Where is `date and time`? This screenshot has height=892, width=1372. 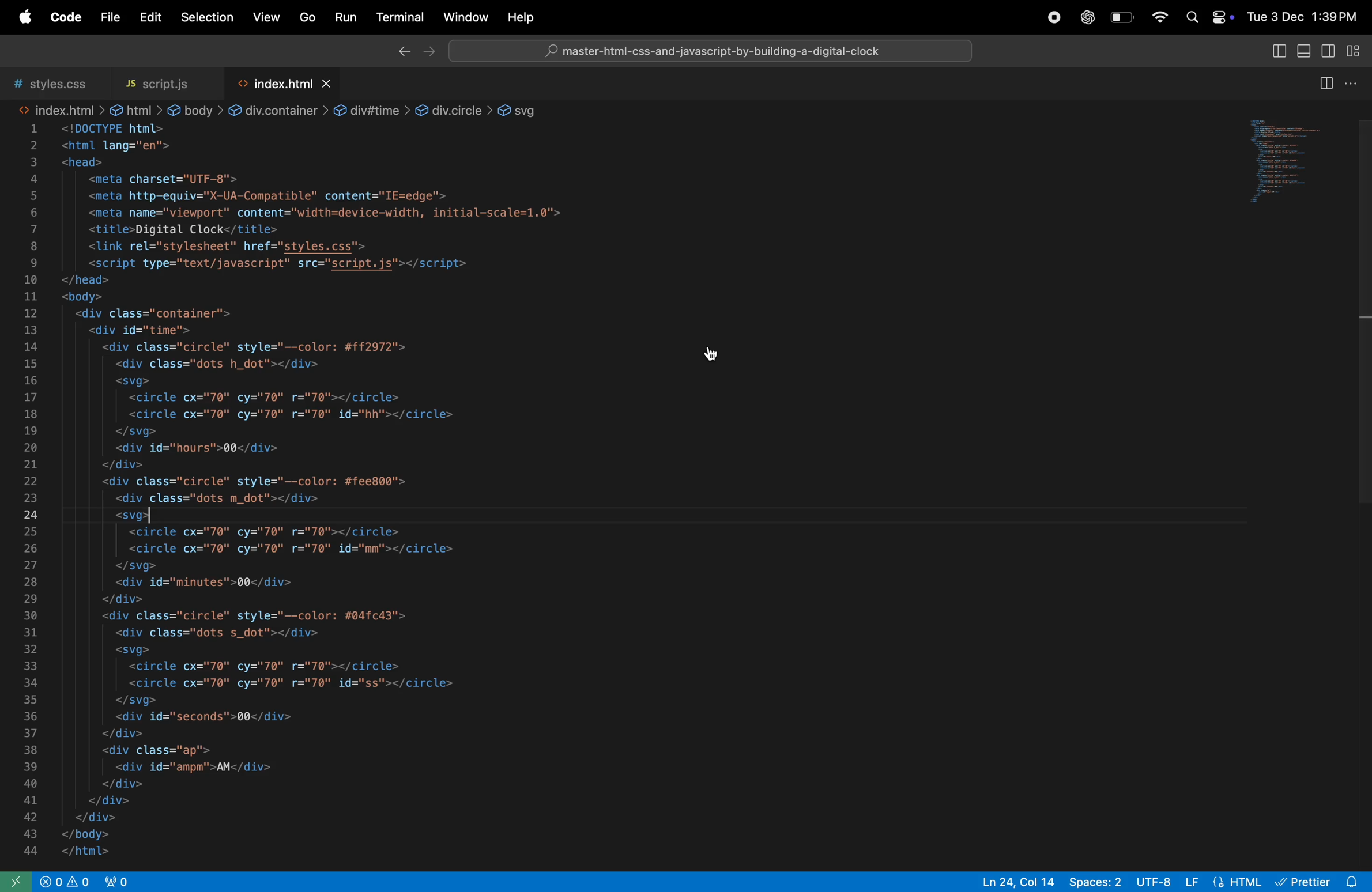 date and time is located at coordinates (1305, 17).